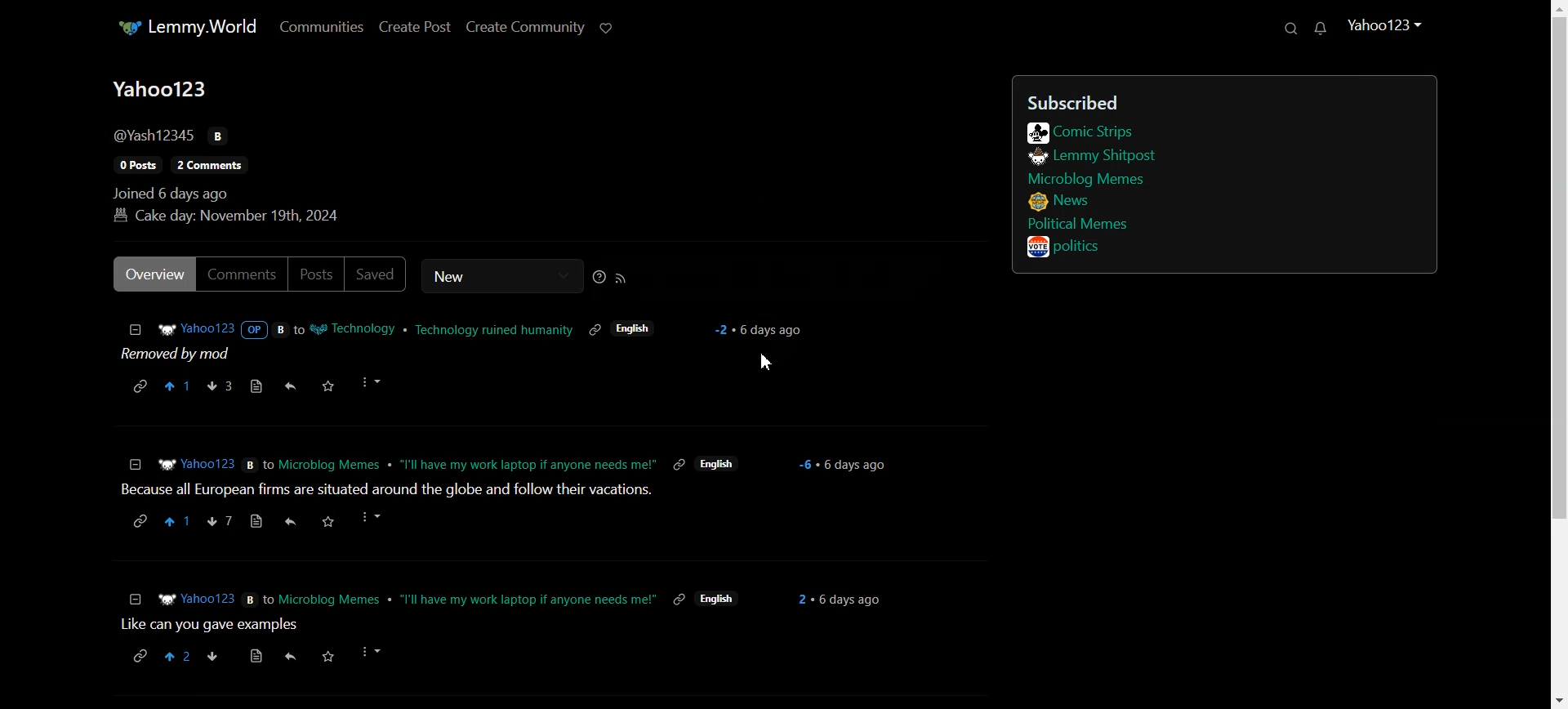 The height and width of the screenshot is (709, 1568). I want to click on , so click(257, 653).